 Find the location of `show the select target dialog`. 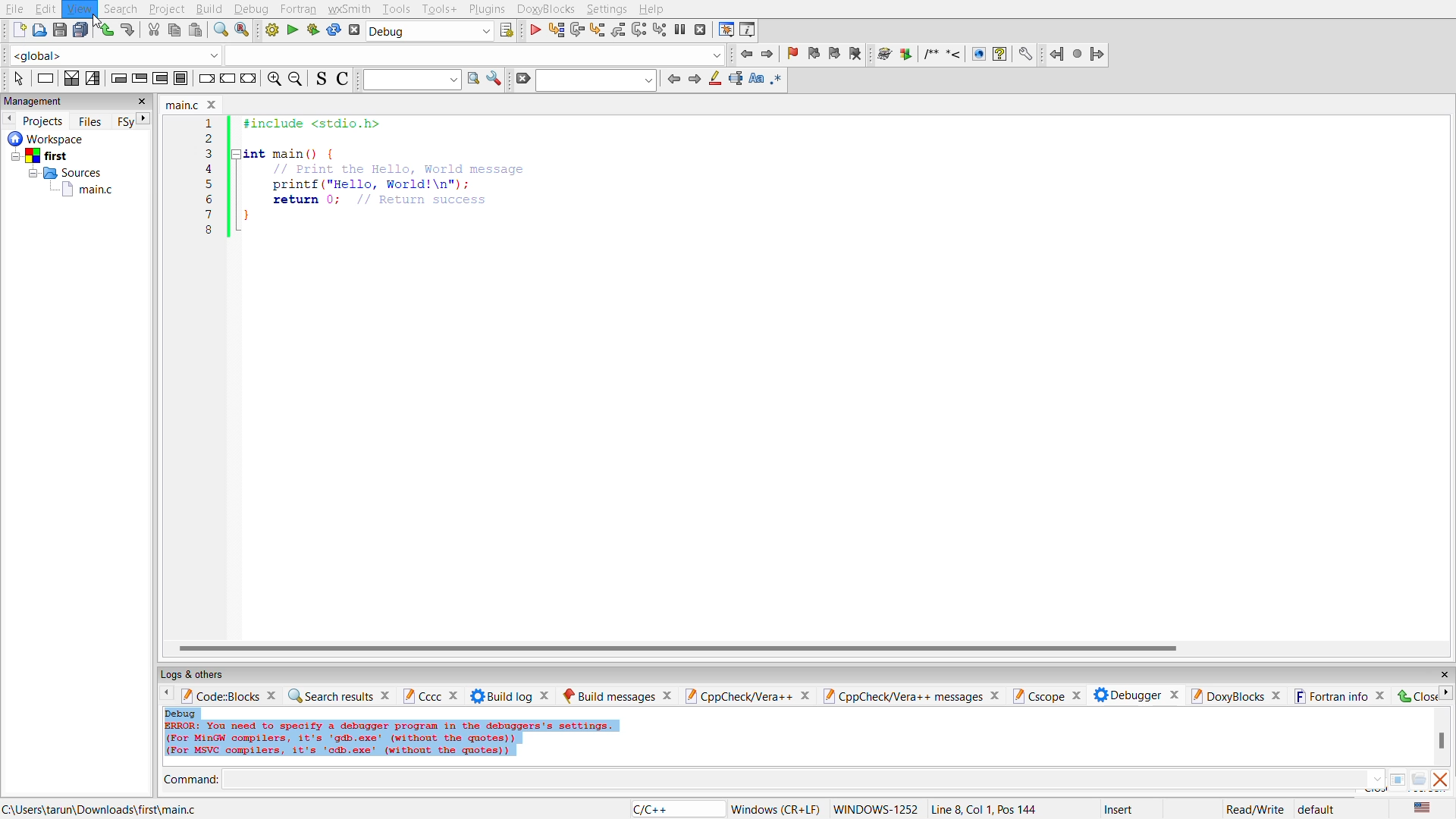

show the select target dialog is located at coordinates (507, 32).